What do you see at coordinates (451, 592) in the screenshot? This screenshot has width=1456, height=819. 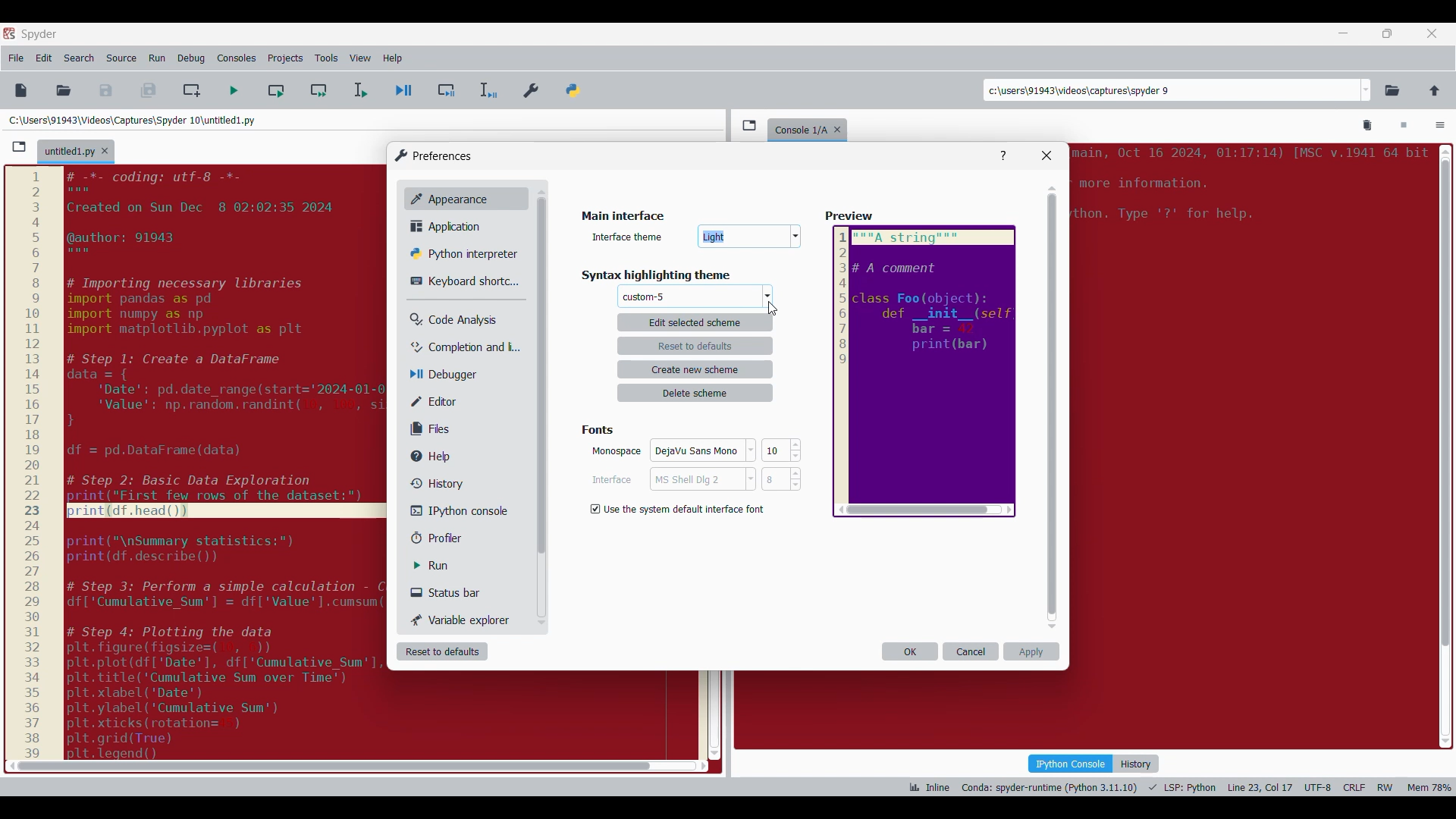 I see `Status bar` at bounding box center [451, 592].